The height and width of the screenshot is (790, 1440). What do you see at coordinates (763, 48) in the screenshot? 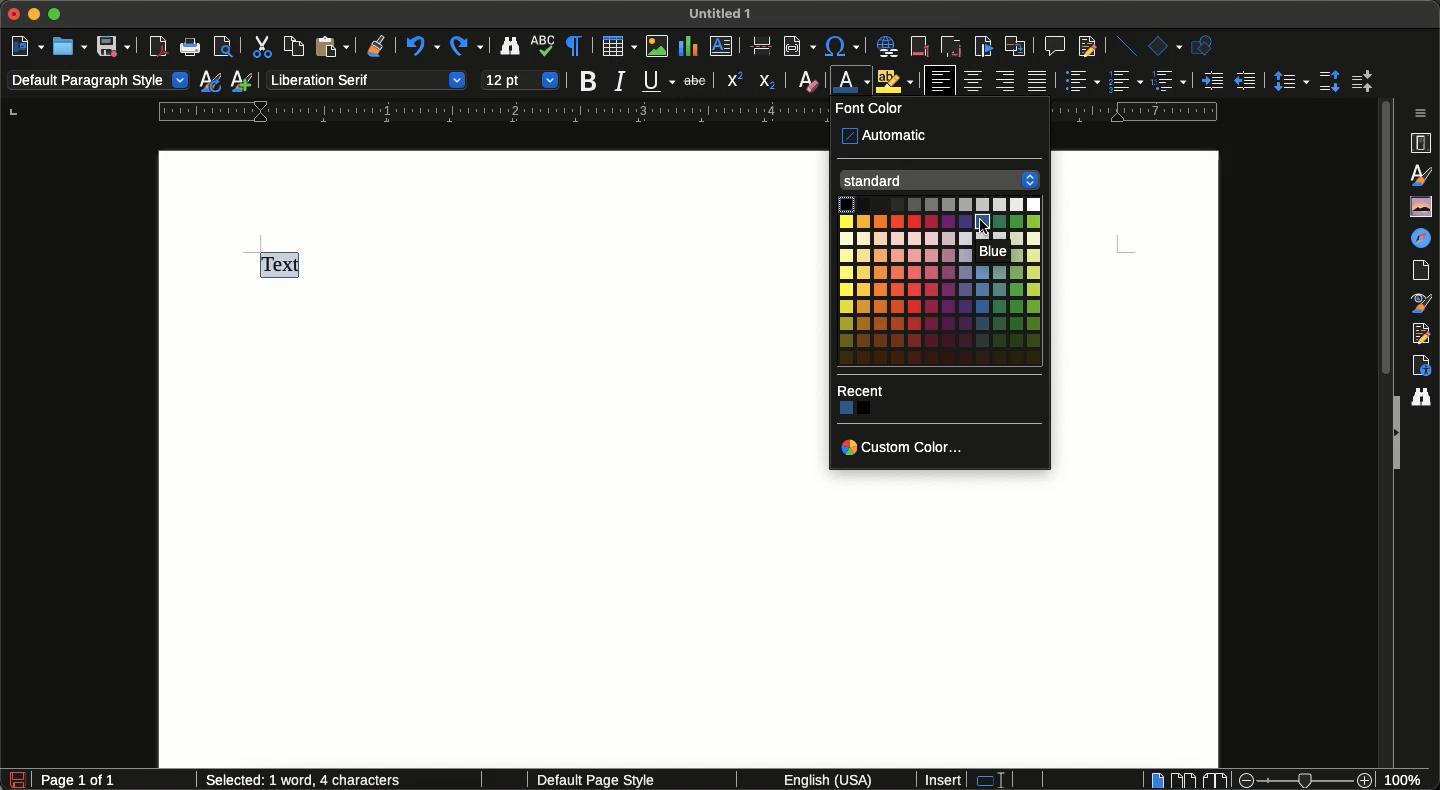
I see `Insert page break` at bounding box center [763, 48].